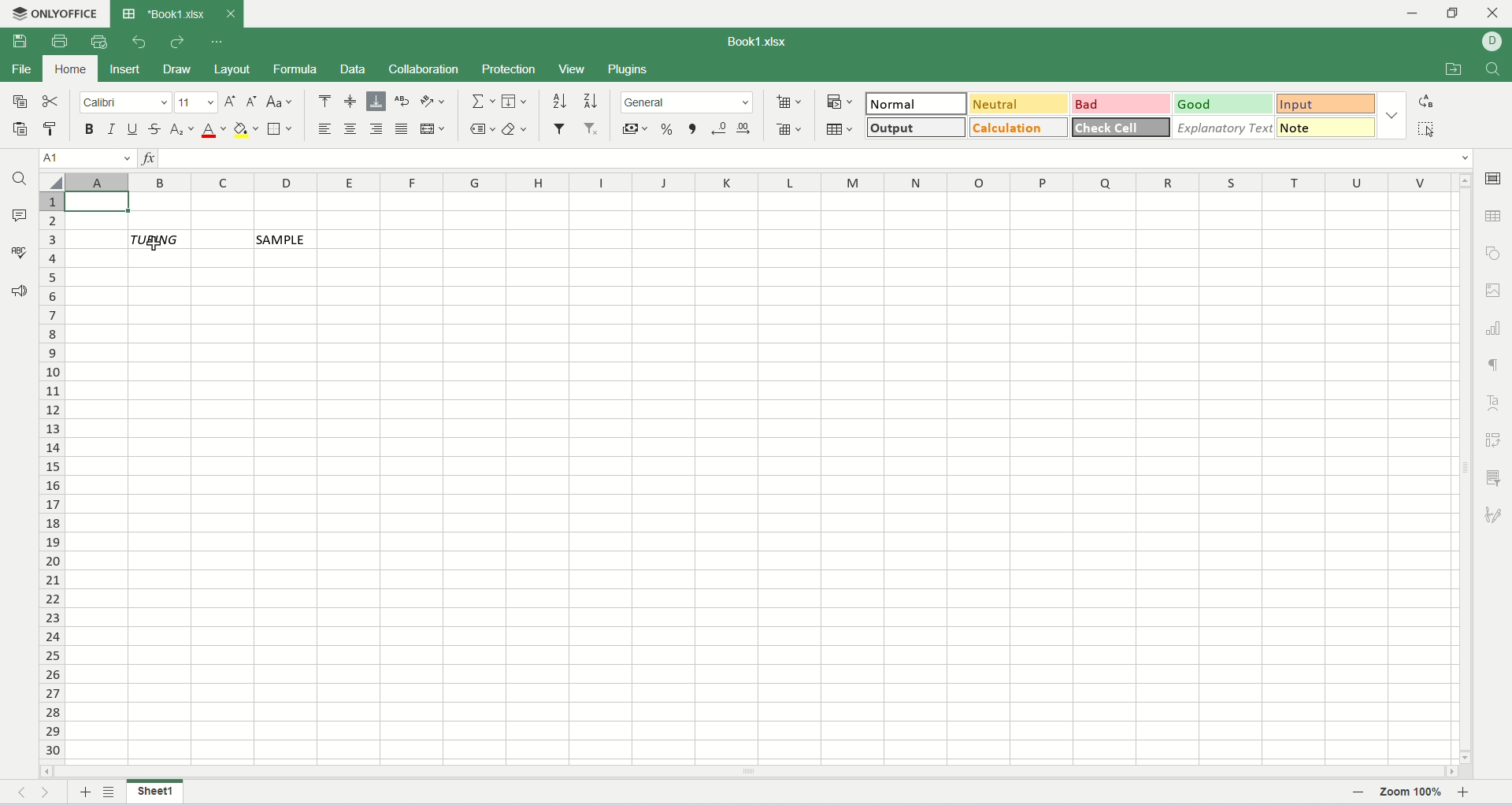 The width and height of the screenshot is (1512, 805). Describe the element at coordinates (279, 101) in the screenshot. I see `change case` at that location.